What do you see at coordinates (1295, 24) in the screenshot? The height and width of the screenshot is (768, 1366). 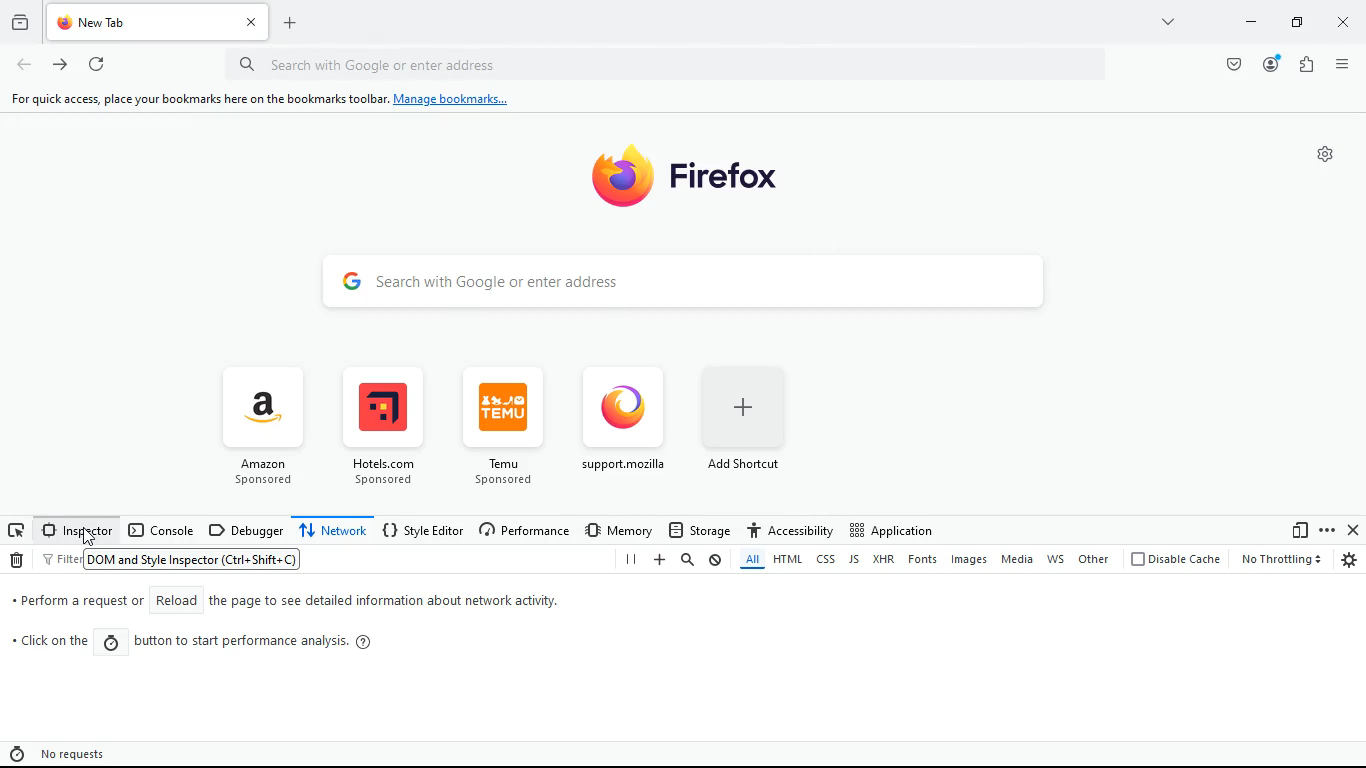 I see `maximize` at bounding box center [1295, 24].